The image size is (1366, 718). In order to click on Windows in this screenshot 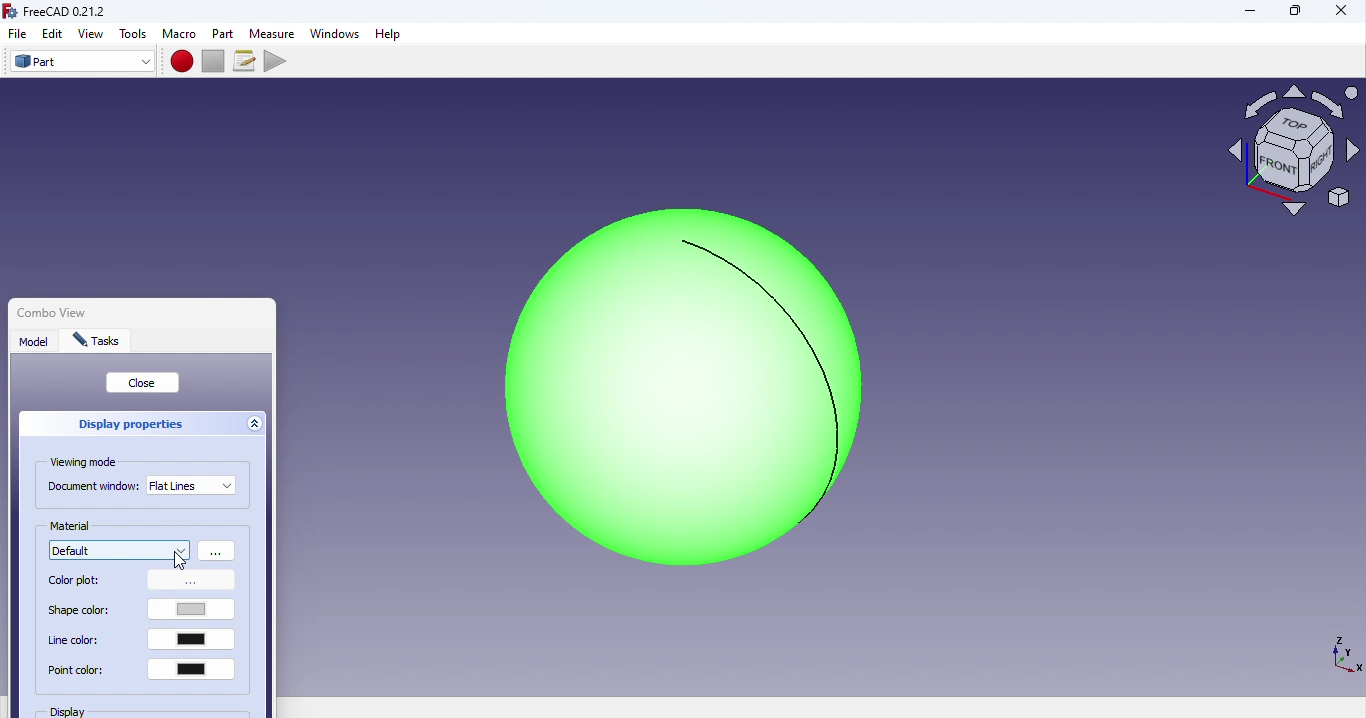, I will do `click(334, 34)`.